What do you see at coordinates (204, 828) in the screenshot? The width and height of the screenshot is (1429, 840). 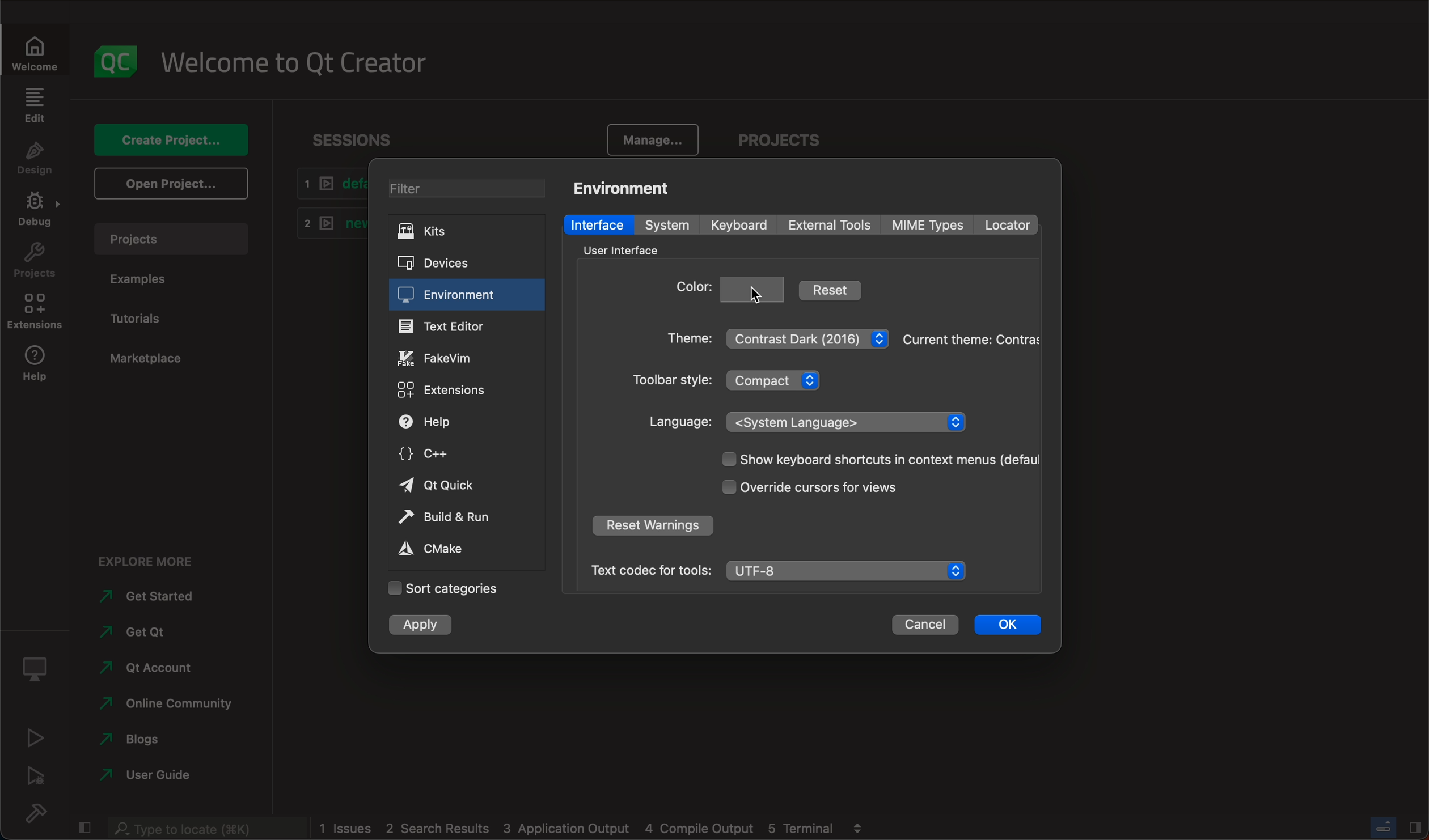 I see `seArch` at bounding box center [204, 828].